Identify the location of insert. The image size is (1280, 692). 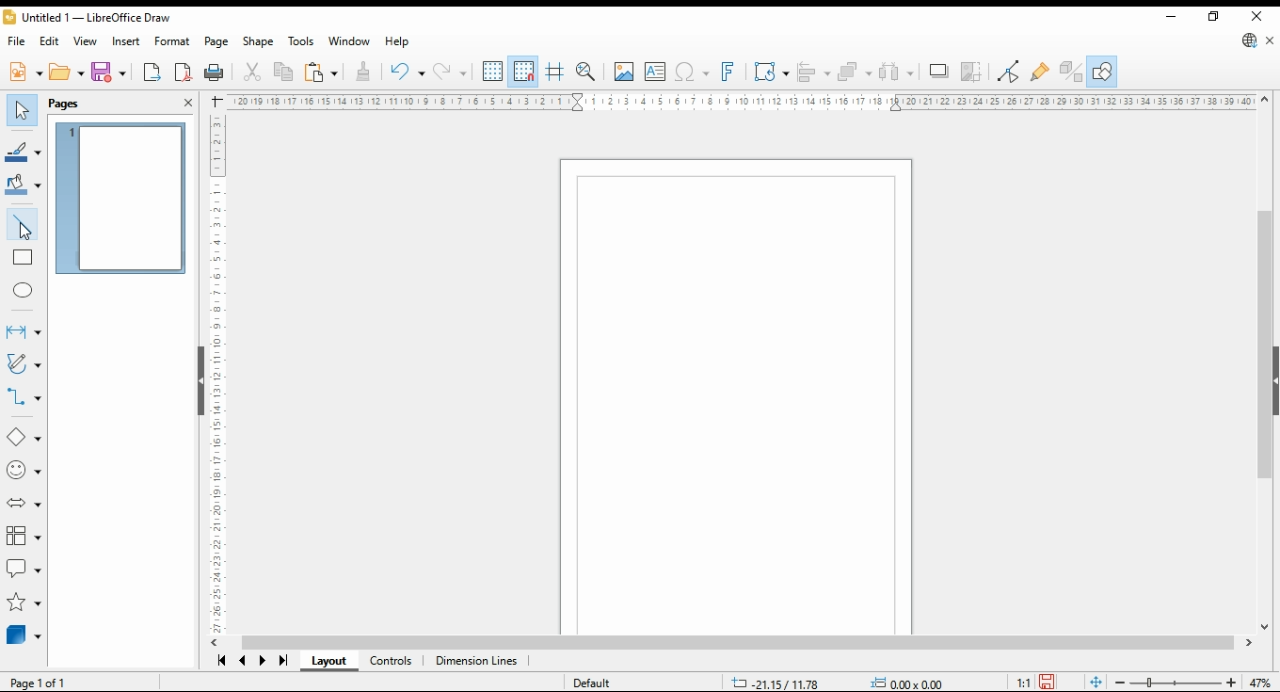
(127, 41).